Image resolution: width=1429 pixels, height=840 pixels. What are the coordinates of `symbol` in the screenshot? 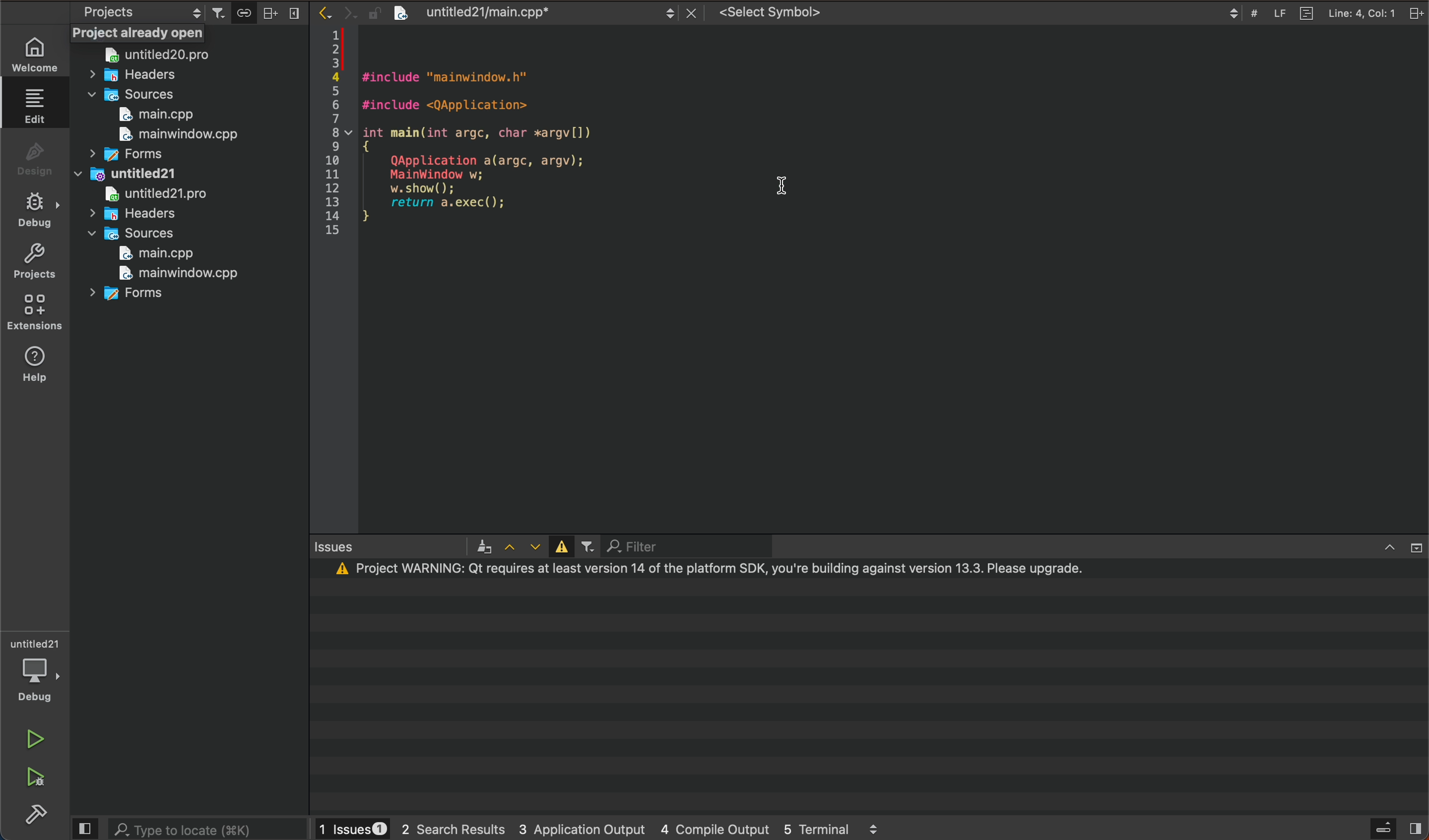 It's located at (979, 14).